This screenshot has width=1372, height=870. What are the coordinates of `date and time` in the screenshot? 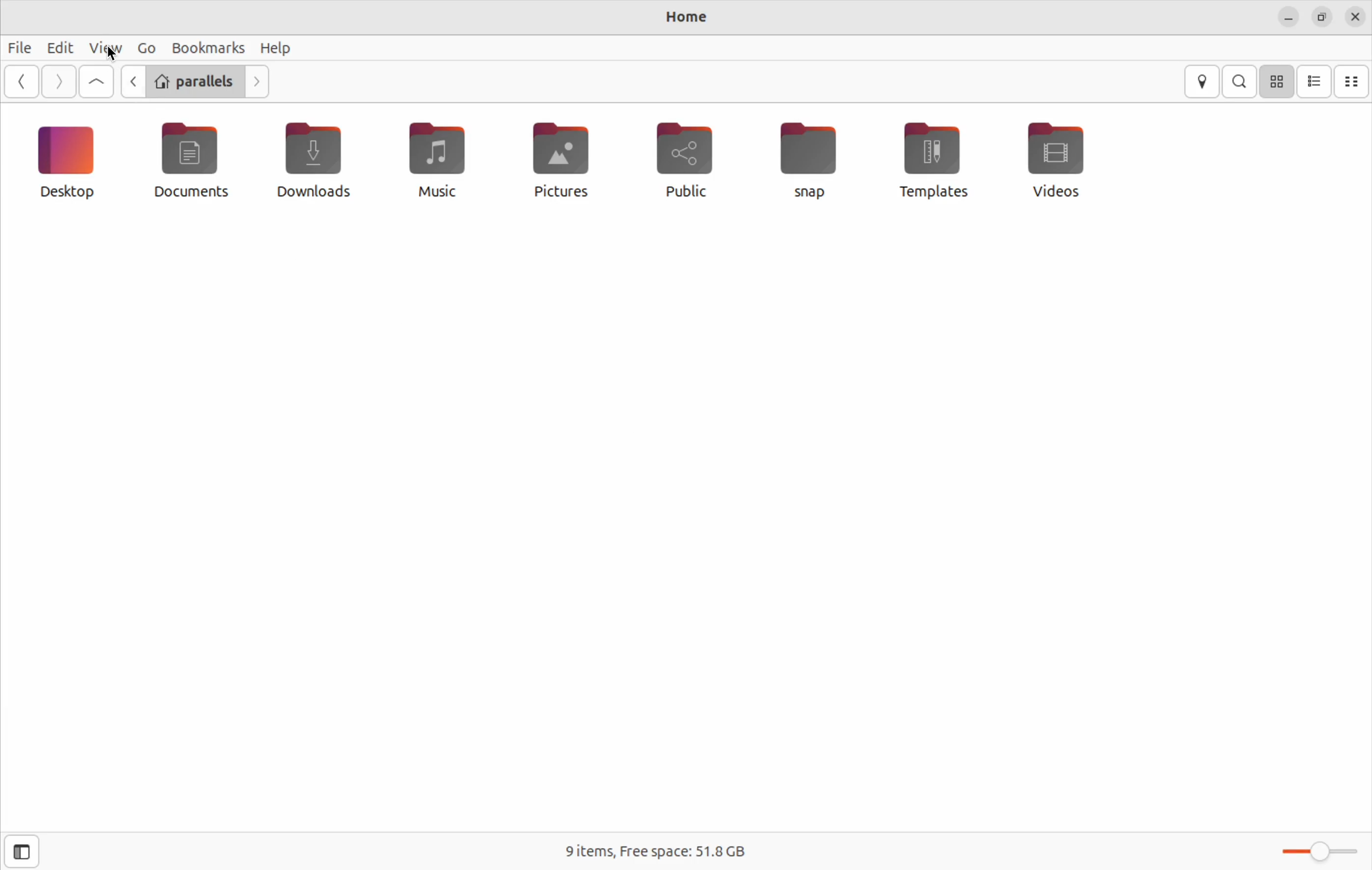 It's located at (1355, 16).